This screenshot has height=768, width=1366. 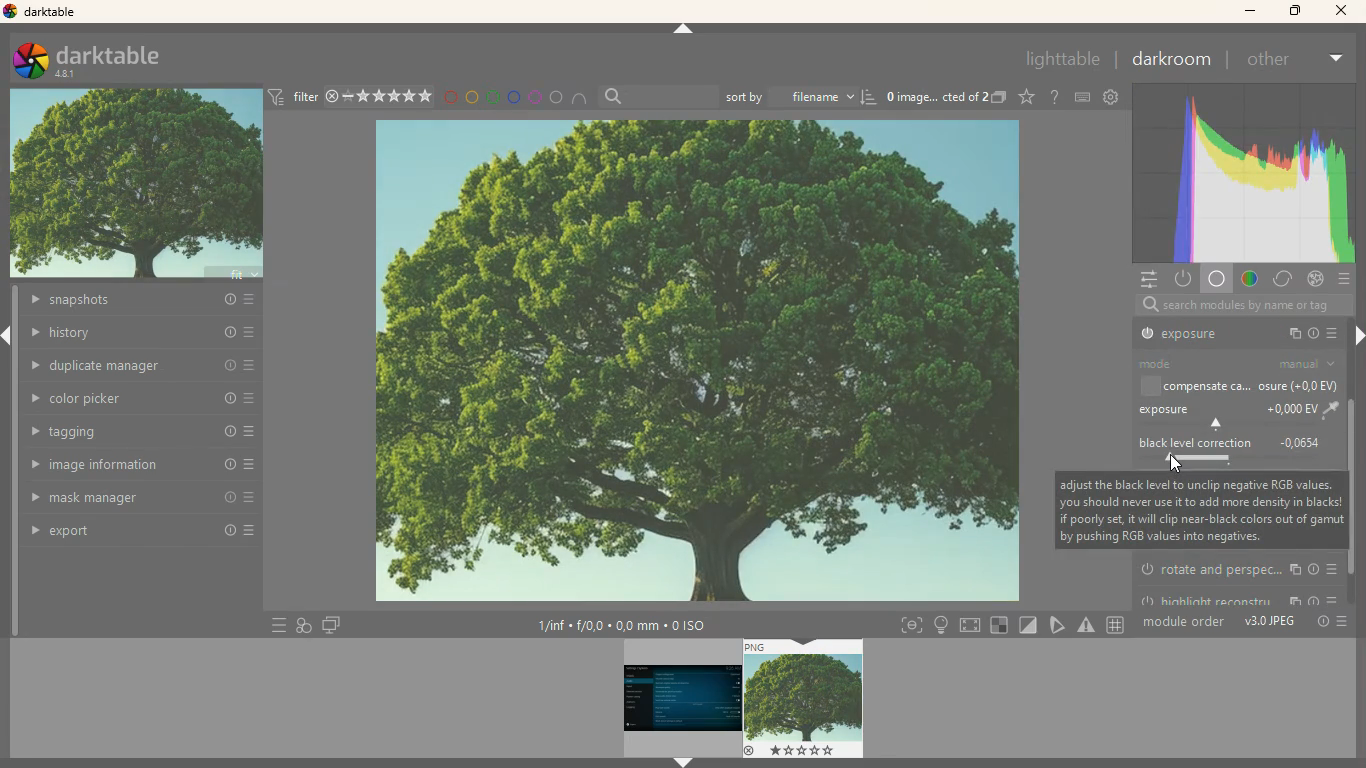 I want to click on search, so click(x=1239, y=304).